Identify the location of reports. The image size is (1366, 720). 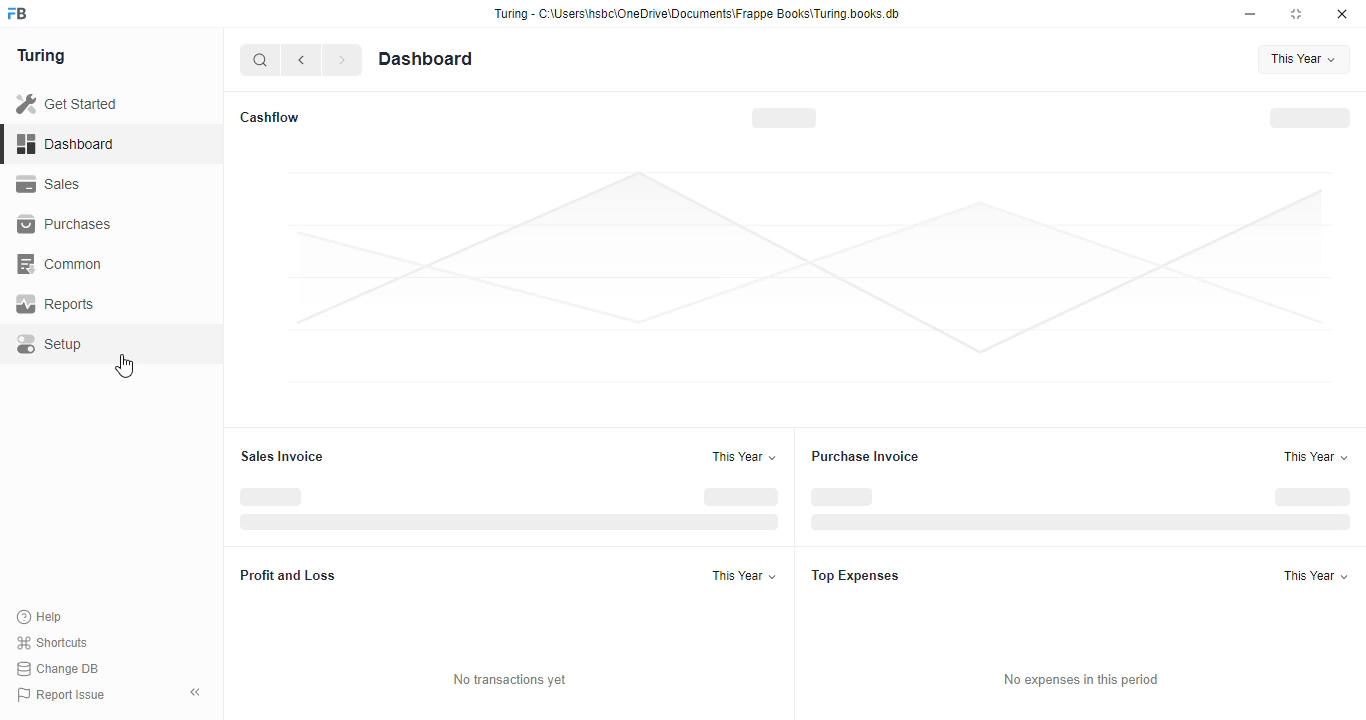
(56, 304).